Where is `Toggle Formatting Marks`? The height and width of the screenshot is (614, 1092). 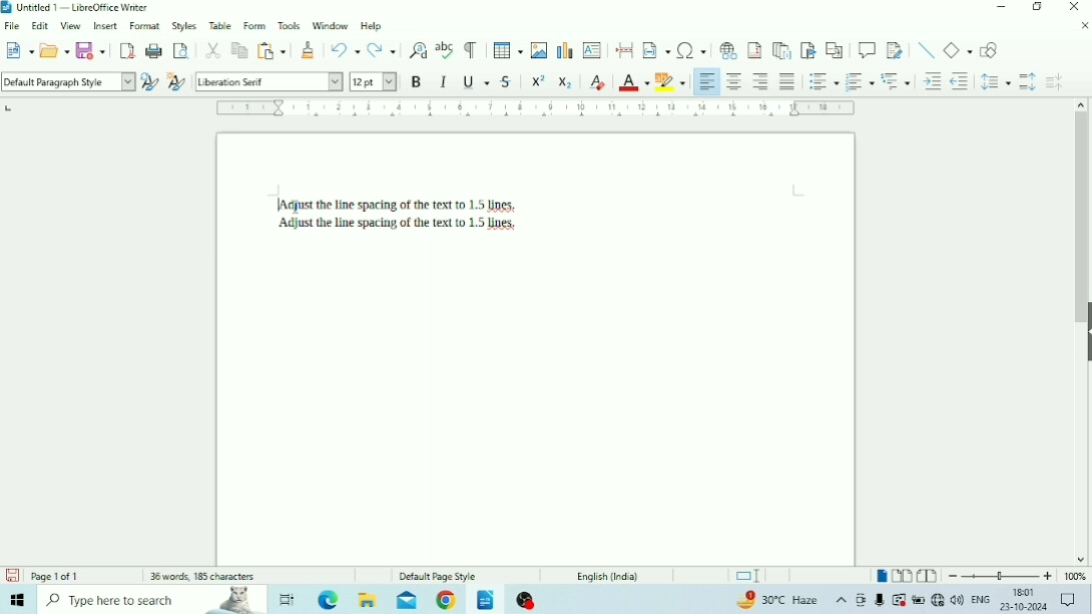 Toggle Formatting Marks is located at coordinates (472, 50).